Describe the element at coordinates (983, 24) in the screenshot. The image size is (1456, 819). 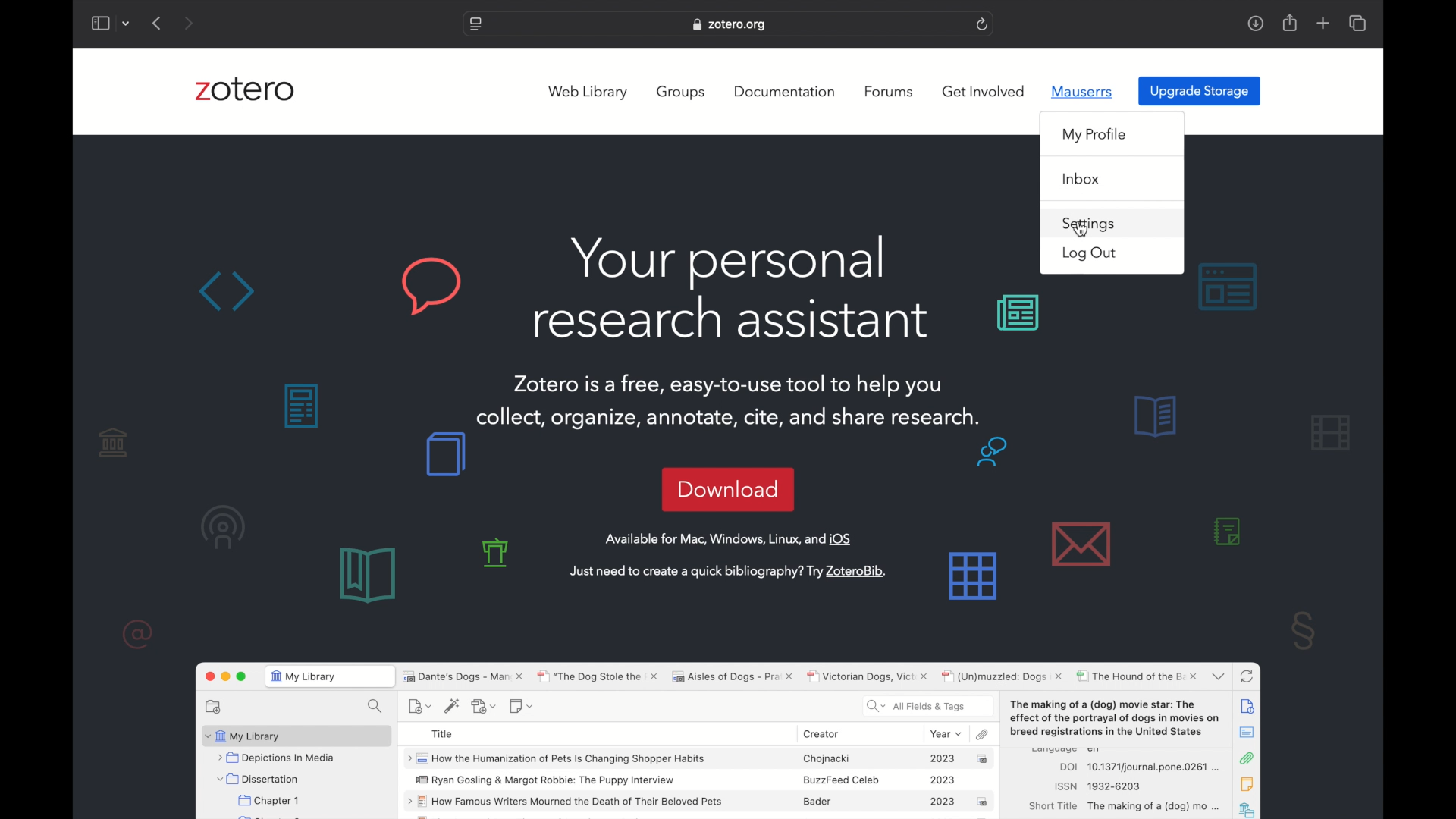
I see `refresh` at that location.